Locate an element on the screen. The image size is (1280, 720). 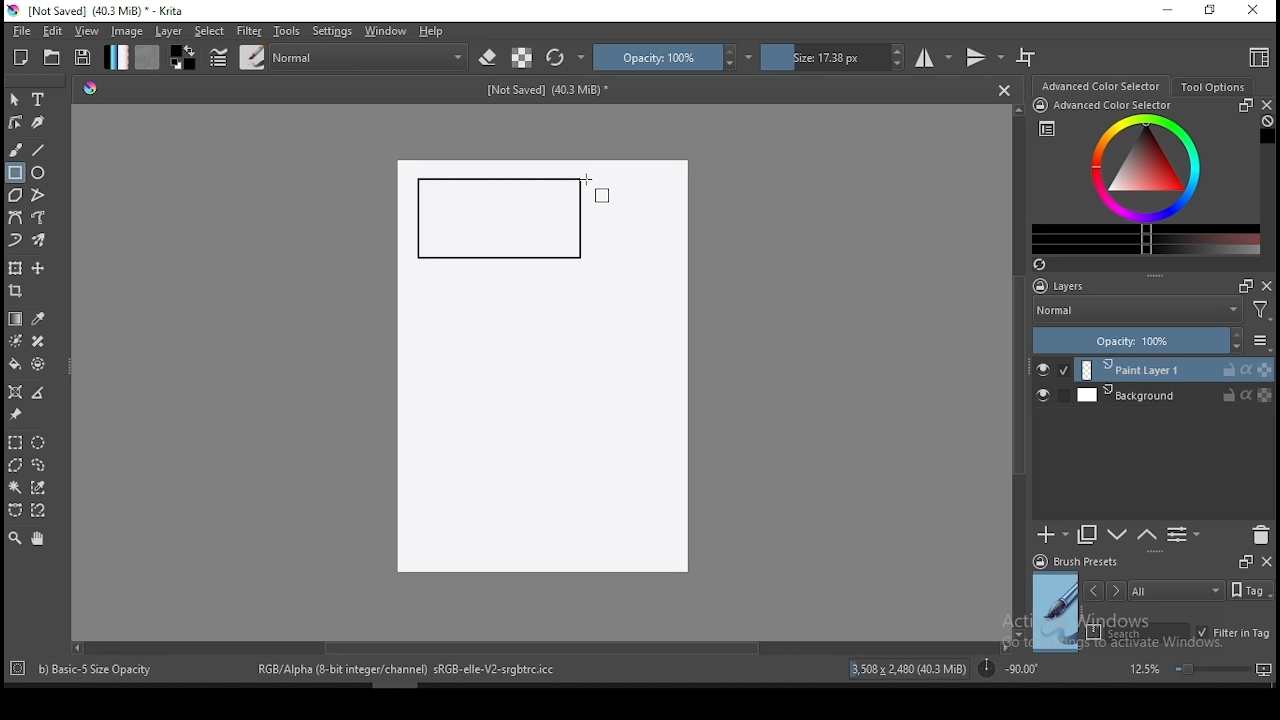
Frames is located at coordinates (1240, 285).